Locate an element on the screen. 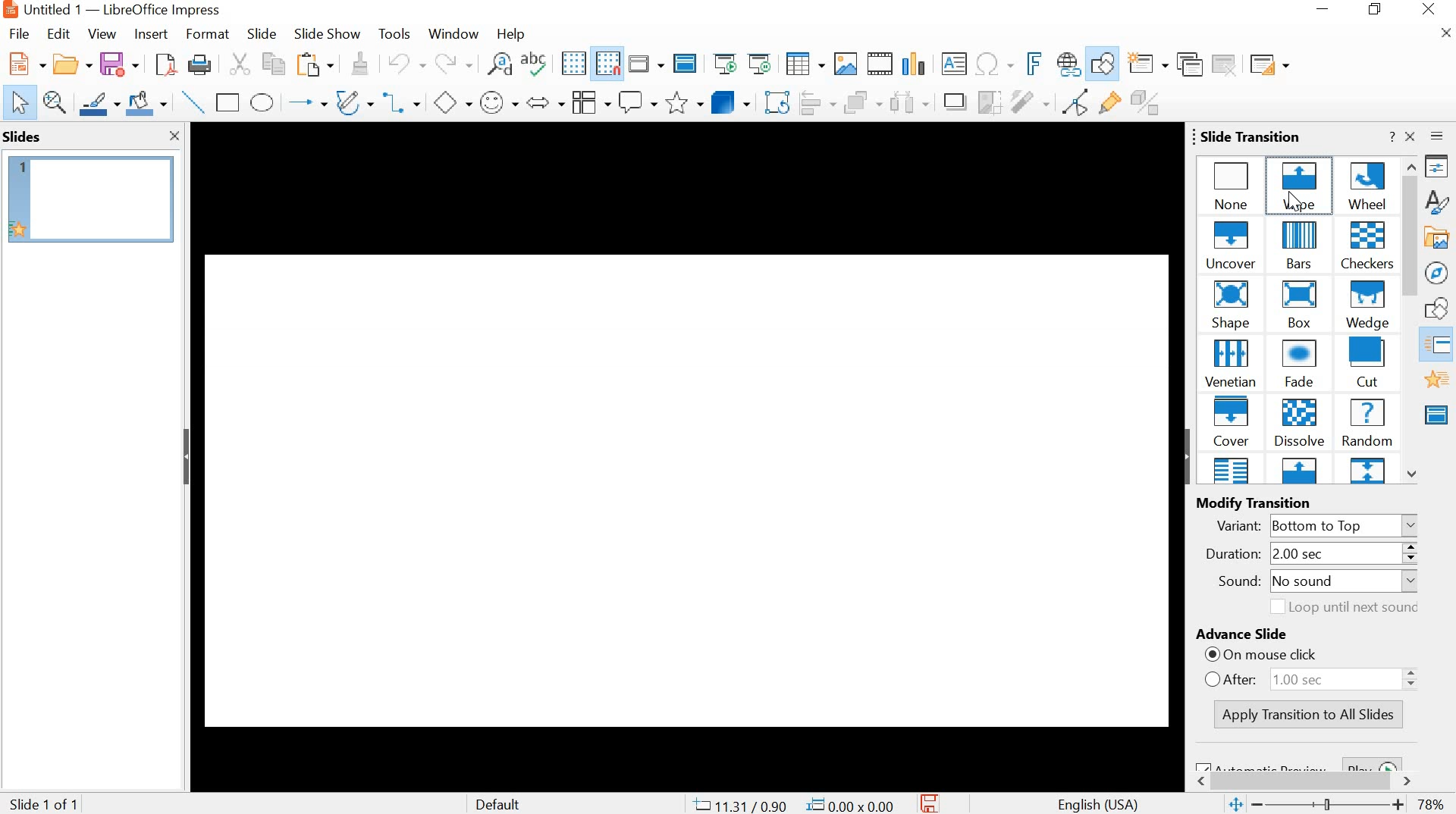 This screenshot has width=1456, height=814. OPEN is located at coordinates (69, 64).